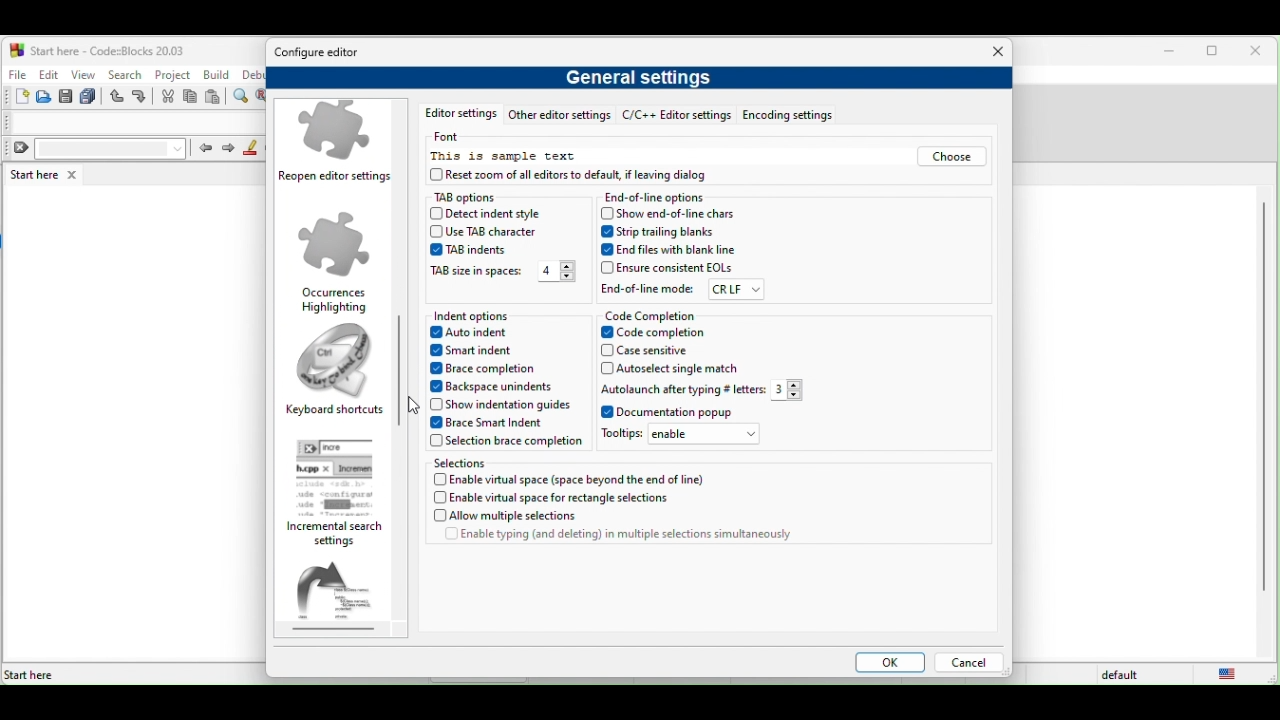  What do you see at coordinates (97, 49) in the screenshot?
I see `start here-code blocks-20.03` at bounding box center [97, 49].